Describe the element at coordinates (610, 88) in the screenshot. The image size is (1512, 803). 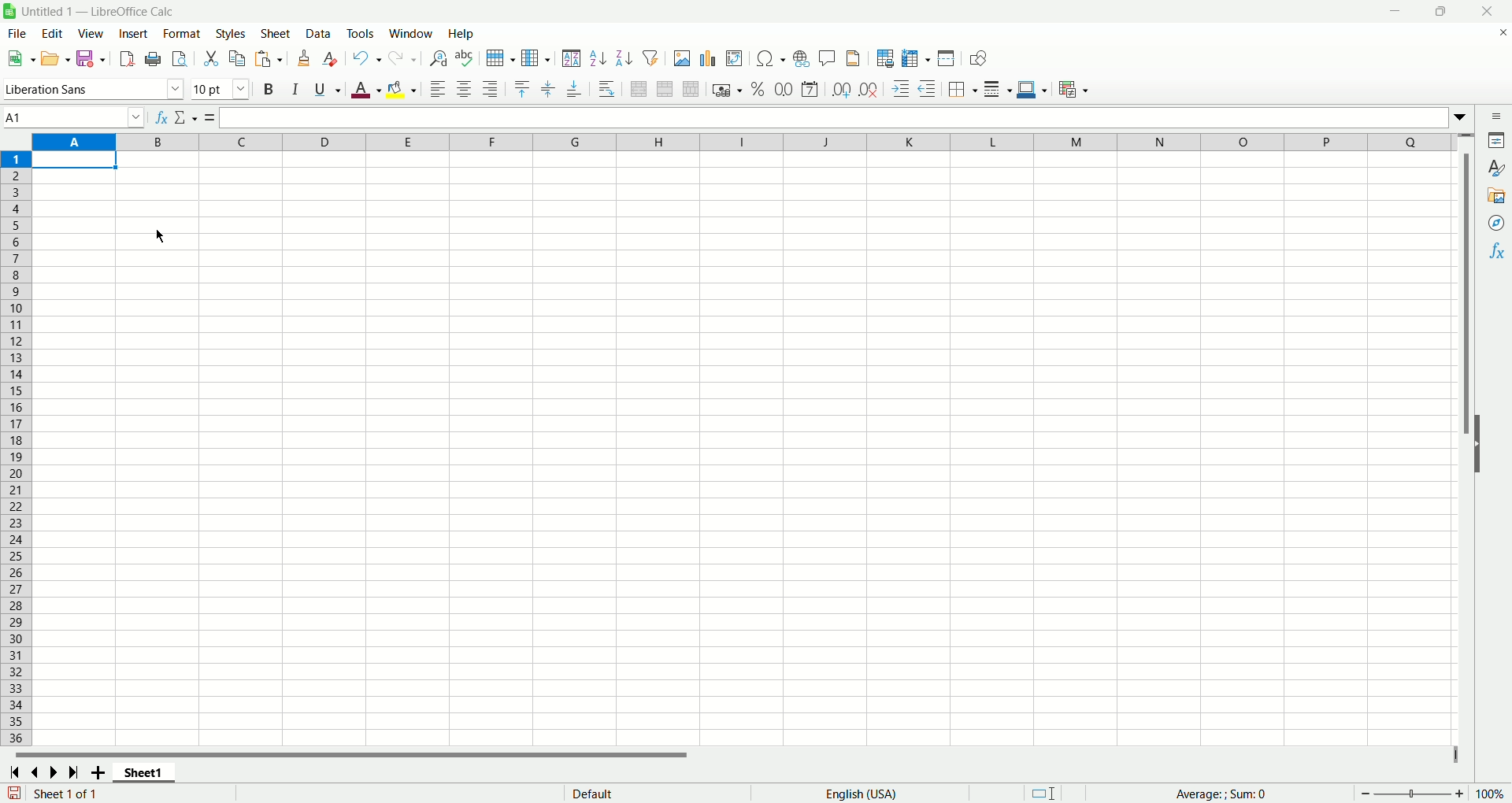
I see `wrap text` at that location.